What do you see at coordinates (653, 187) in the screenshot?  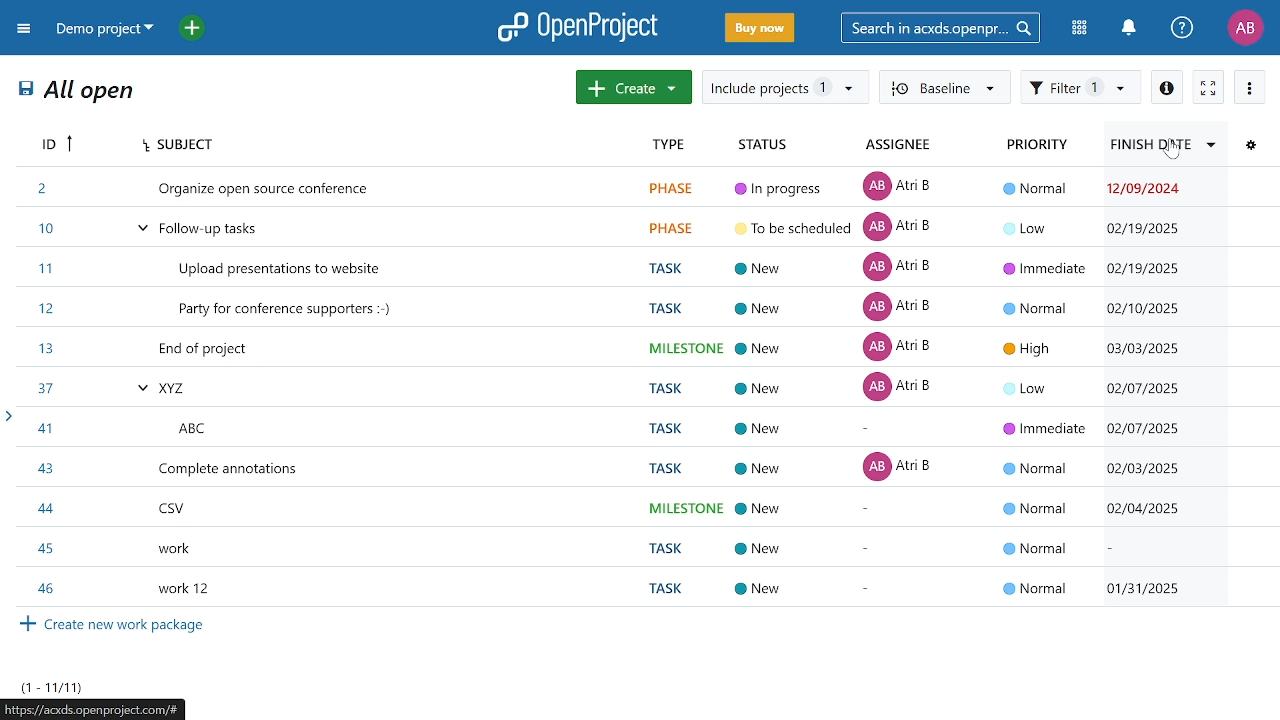 I see `task titled "Organize open source conference "` at bounding box center [653, 187].